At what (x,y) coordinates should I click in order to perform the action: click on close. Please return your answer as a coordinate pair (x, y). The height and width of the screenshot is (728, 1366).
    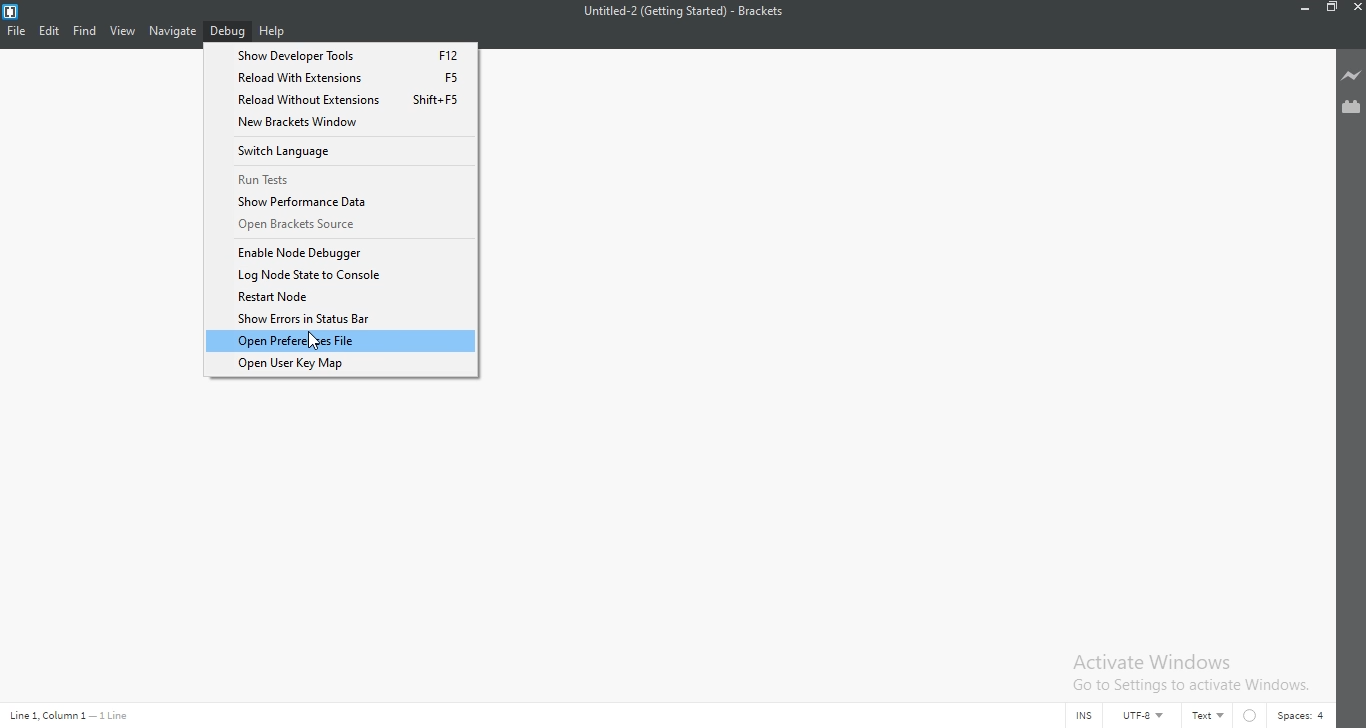
    Looking at the image, I should click on (1357, 8).